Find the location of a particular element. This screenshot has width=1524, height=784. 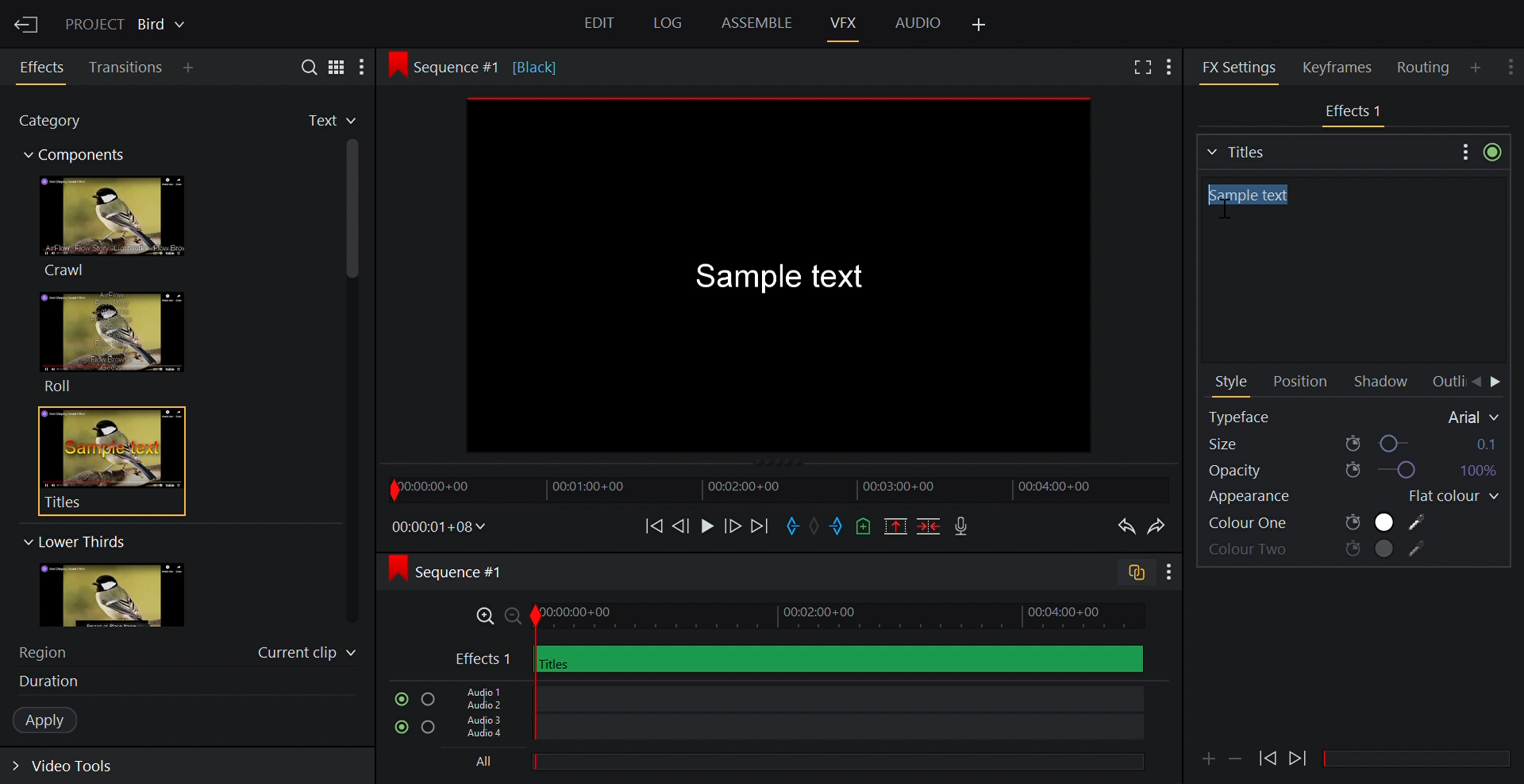

Mute/Unmute is located at coordinates (398, 728).